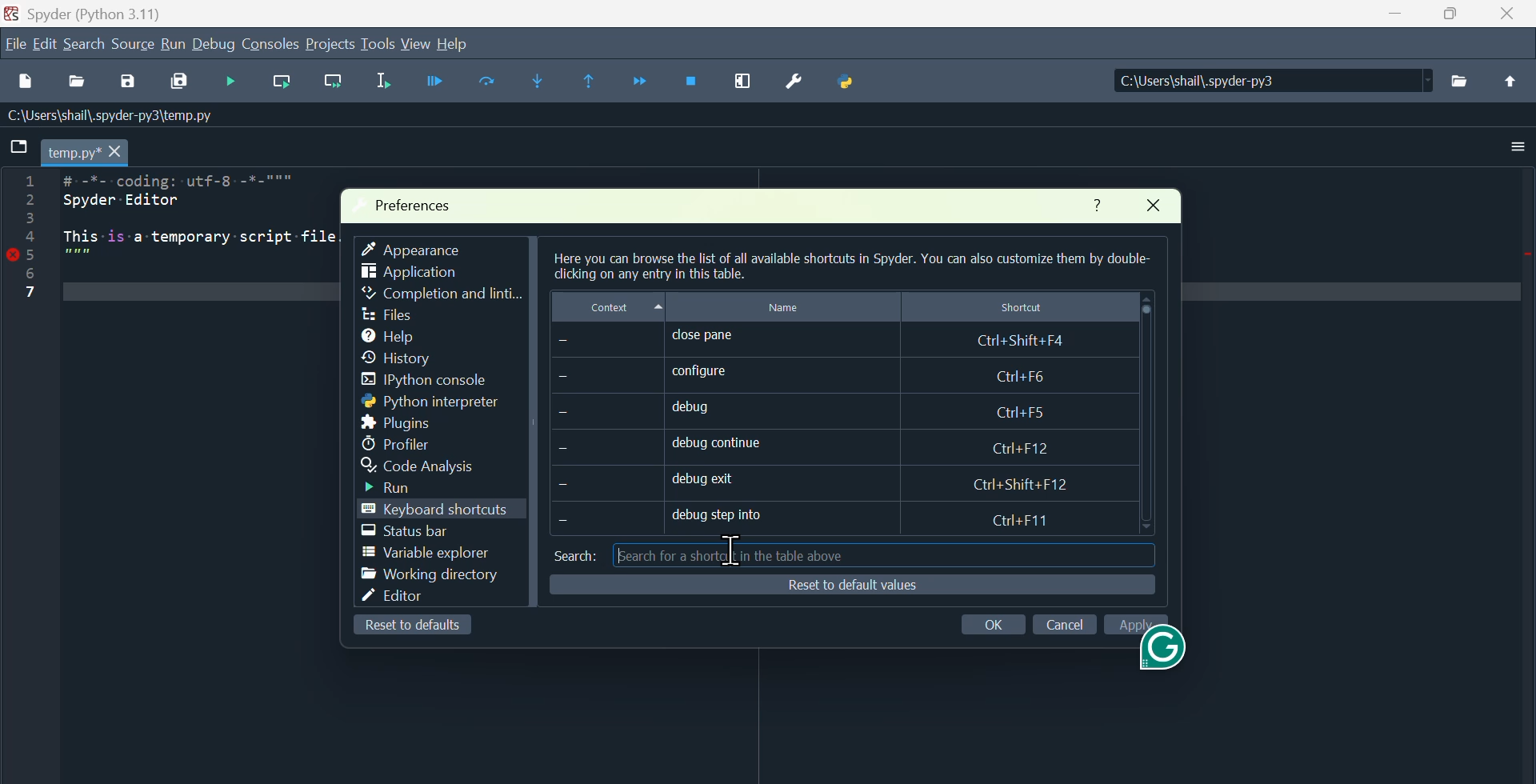 The width and height of the screenshot is (1536, 784). I want to click on open file, so click(80, 87).